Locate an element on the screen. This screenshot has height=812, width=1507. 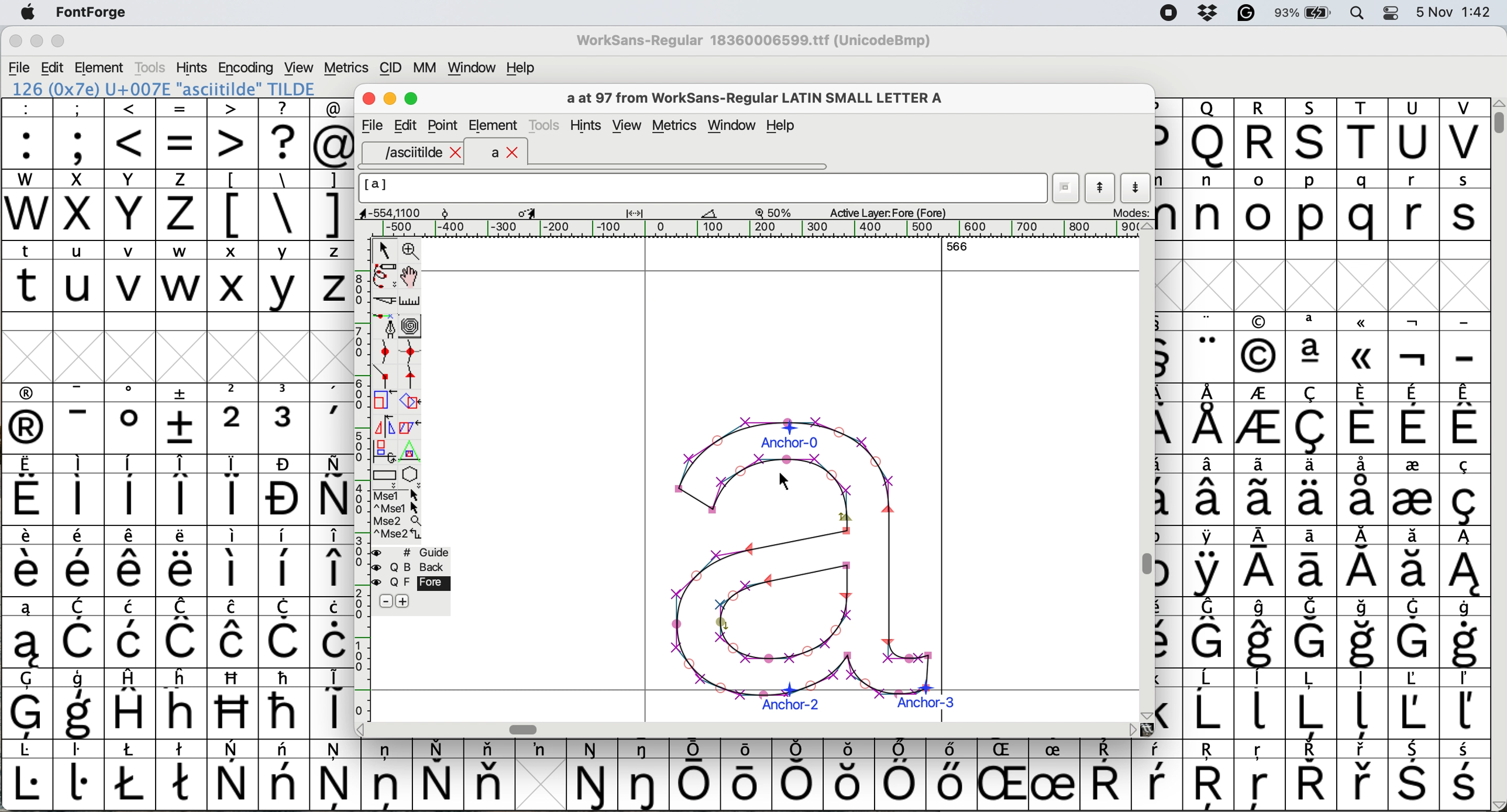
zoom scale is located at coordinates (777, 212).